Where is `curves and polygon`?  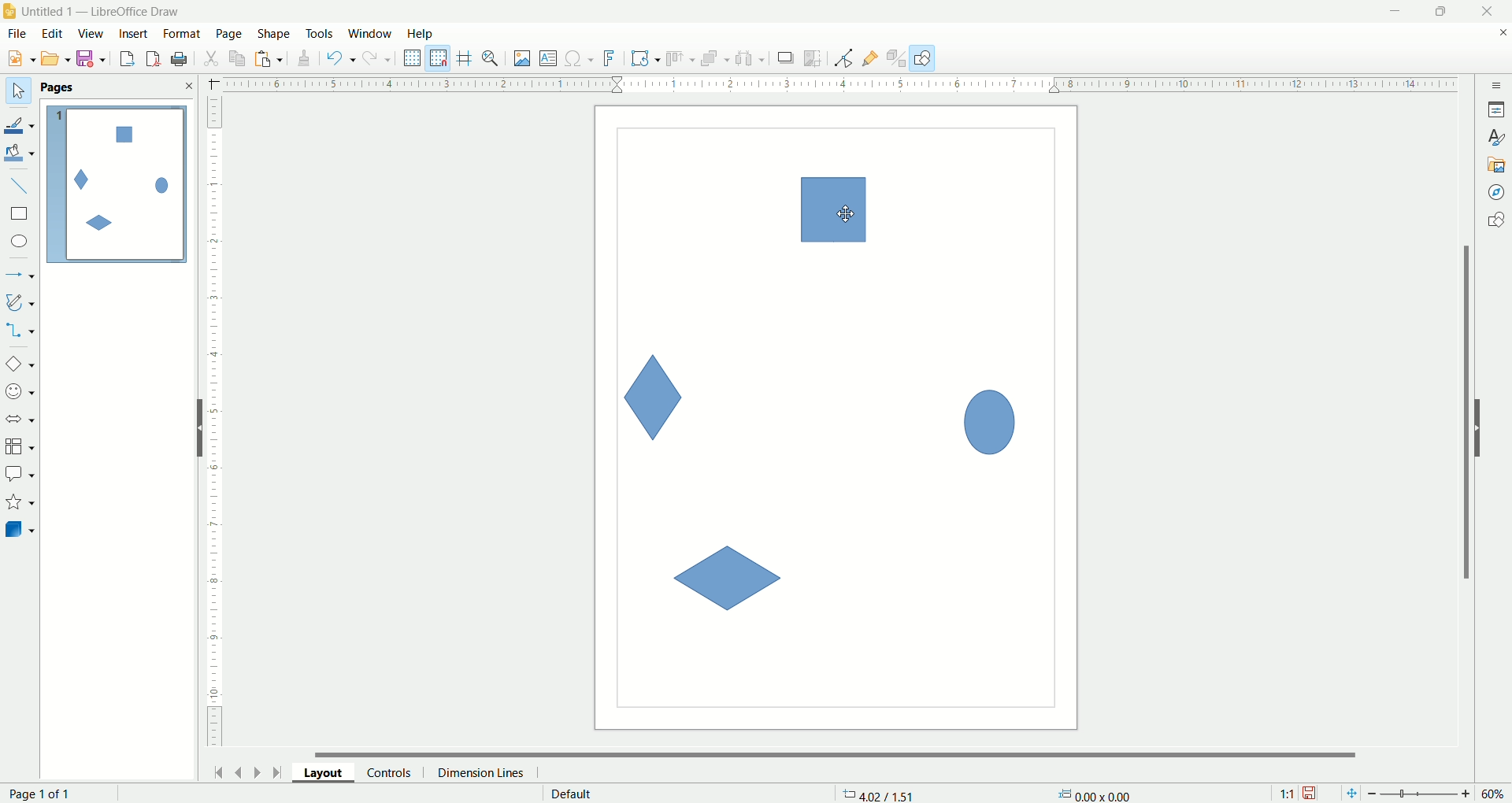 curves and polygon is located at coordinates (21, 302).